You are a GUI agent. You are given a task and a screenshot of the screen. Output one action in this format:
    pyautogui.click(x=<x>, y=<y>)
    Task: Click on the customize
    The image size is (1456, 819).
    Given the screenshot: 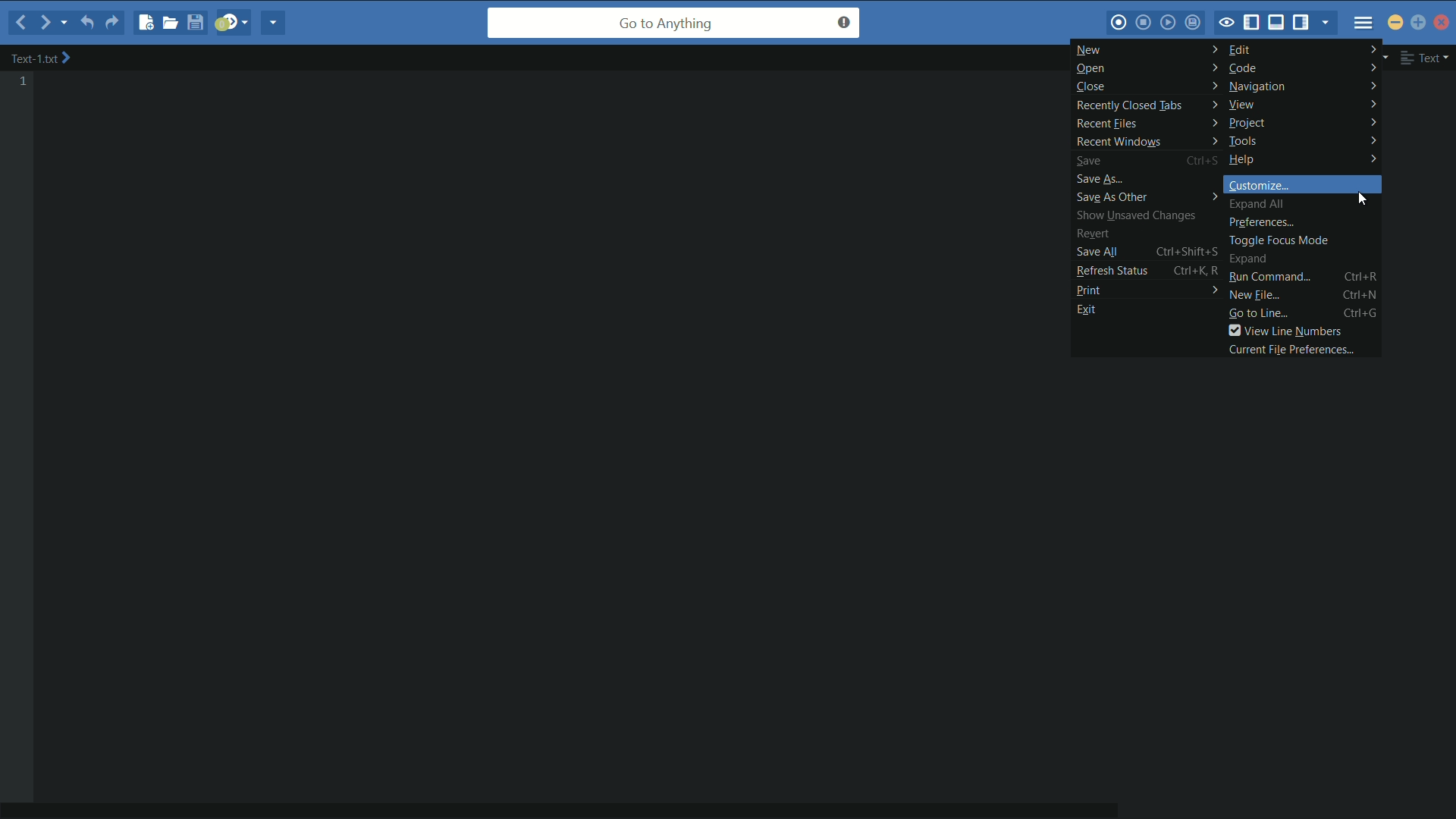 What is the action you would take?
    pyautogui.click(x=1260, y=185)
    